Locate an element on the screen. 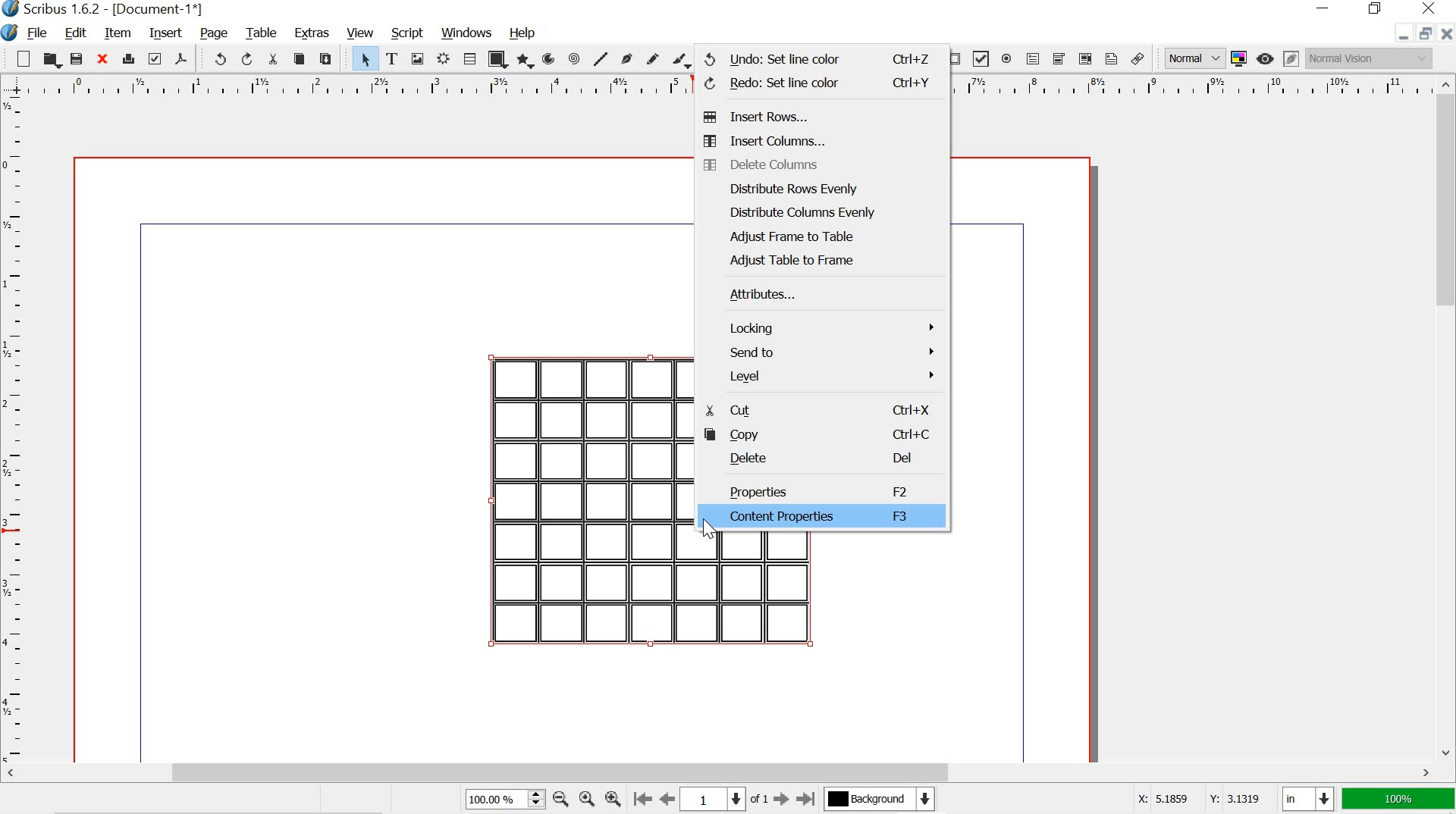  in is located at coordinates (1306, 800).